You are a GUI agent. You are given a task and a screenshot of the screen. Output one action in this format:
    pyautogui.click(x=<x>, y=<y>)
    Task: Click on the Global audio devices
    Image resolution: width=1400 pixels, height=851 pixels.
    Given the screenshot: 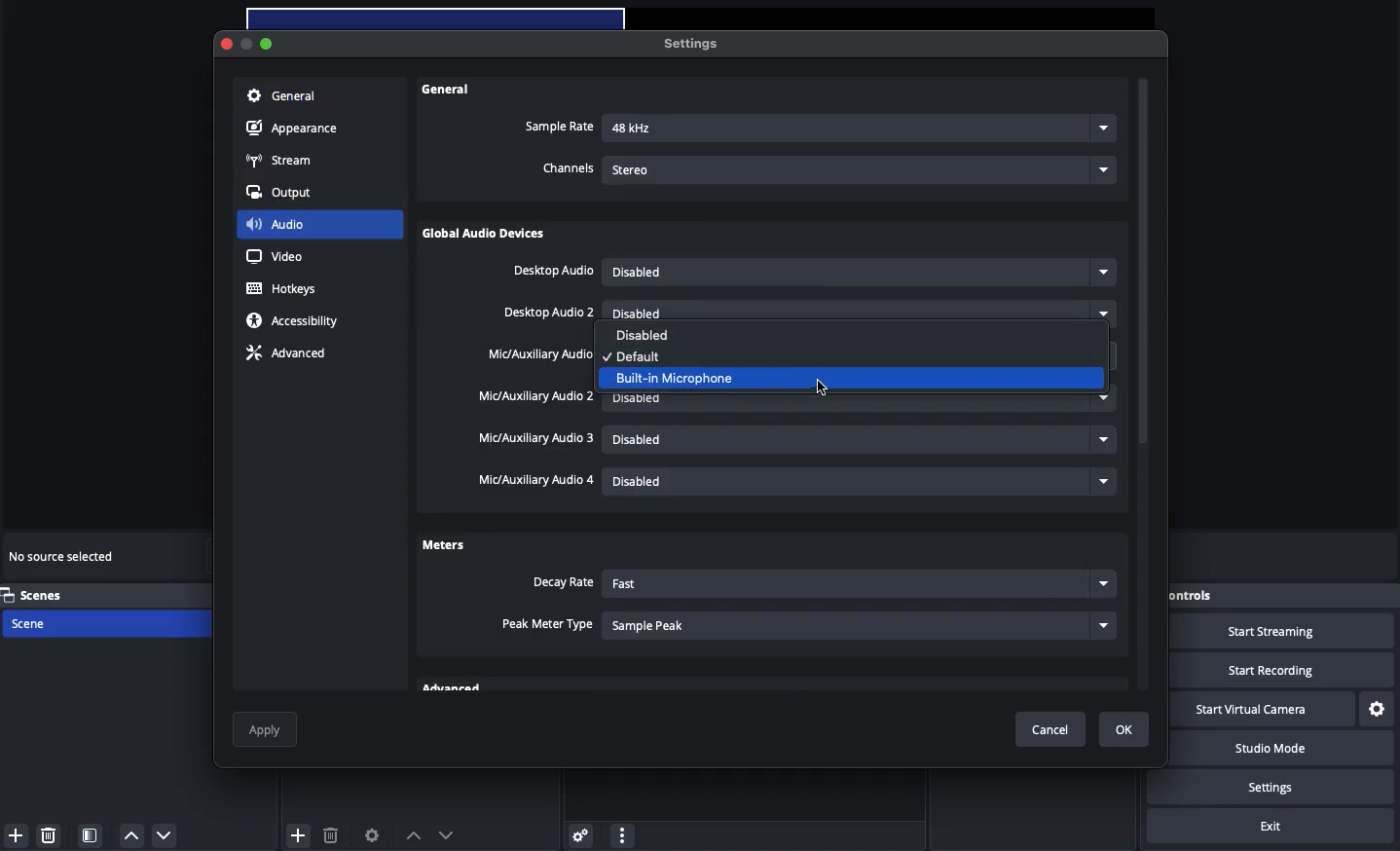 What is the action you would take?
    pyautogui.click(x=488, y=236)
    